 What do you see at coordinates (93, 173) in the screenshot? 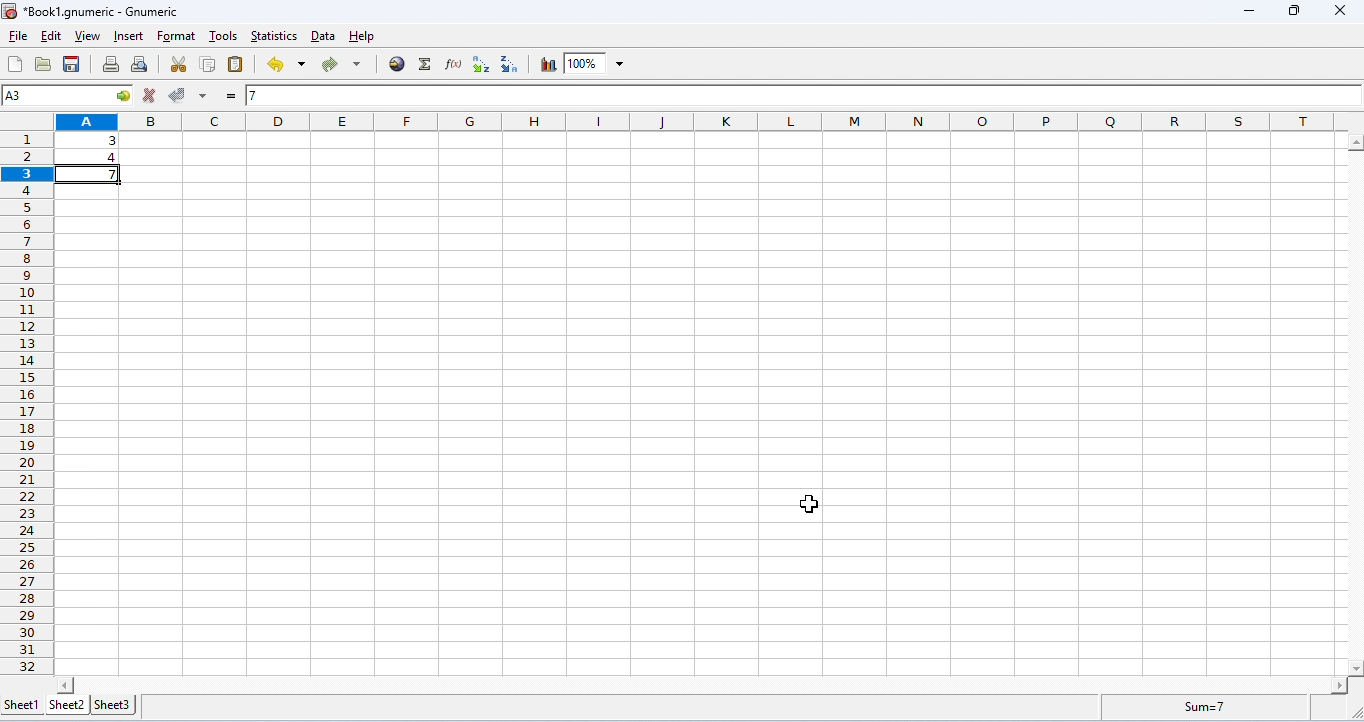
I see `cell copied` at bounding box center [93, 173].